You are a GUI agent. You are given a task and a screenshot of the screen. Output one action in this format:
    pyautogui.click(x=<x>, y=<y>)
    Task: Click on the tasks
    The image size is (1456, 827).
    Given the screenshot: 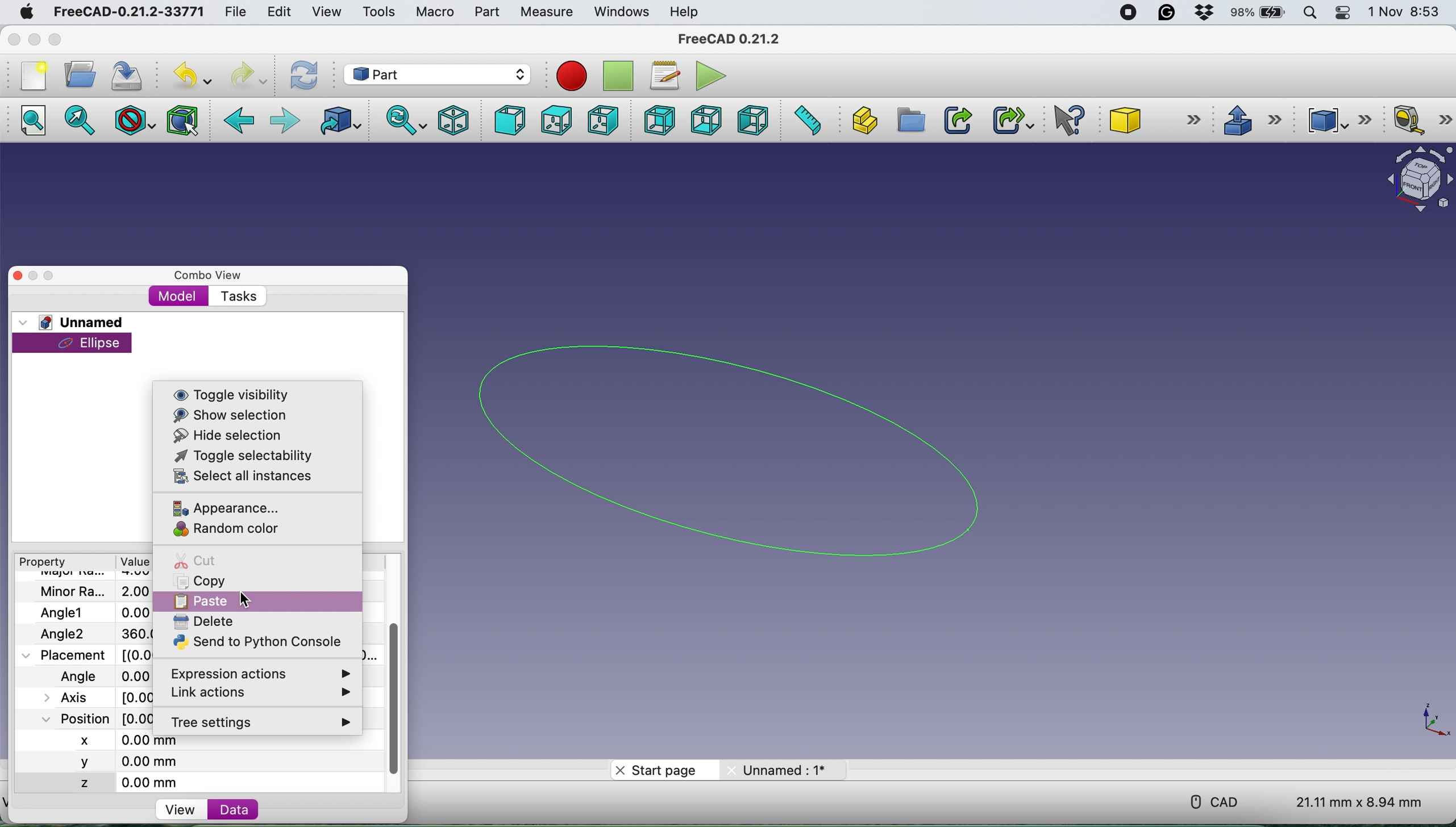 What is the action you would take?
    pyautogui.click(x=238, y=296)
    